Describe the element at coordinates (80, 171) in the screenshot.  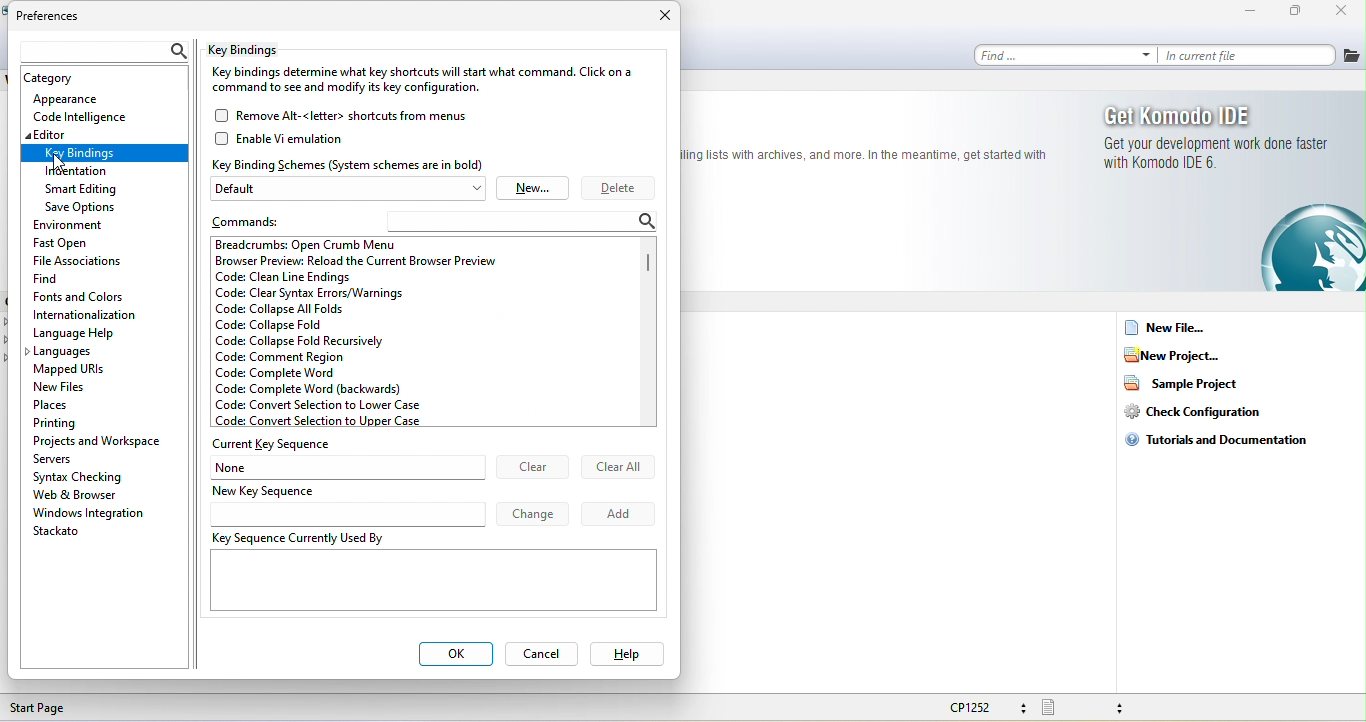
I see `indentation` at that location.